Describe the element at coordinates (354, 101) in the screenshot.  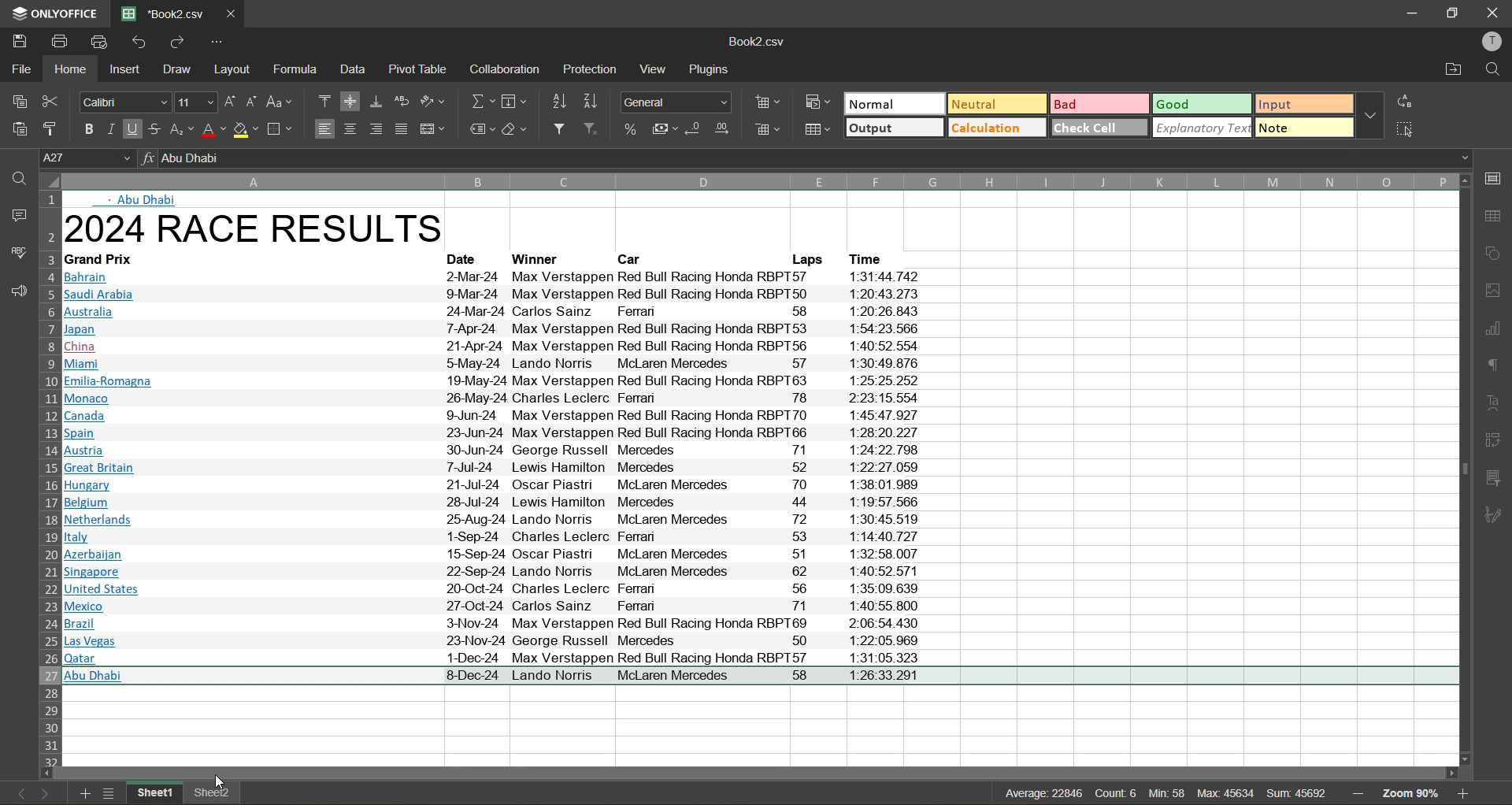
I see `align middle` at that location.